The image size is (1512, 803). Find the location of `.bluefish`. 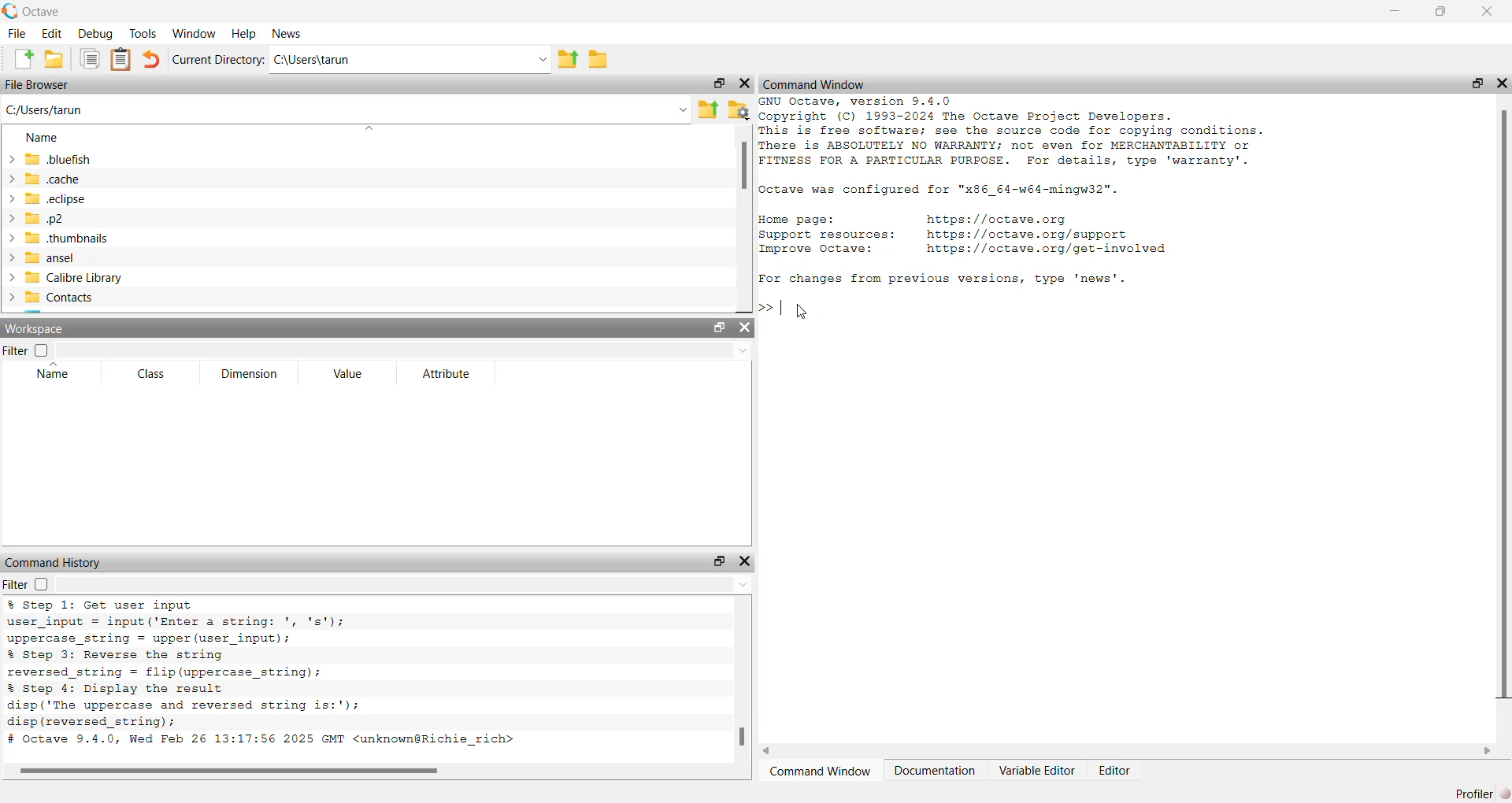

.bluefish is located at coordinates (113, 159).